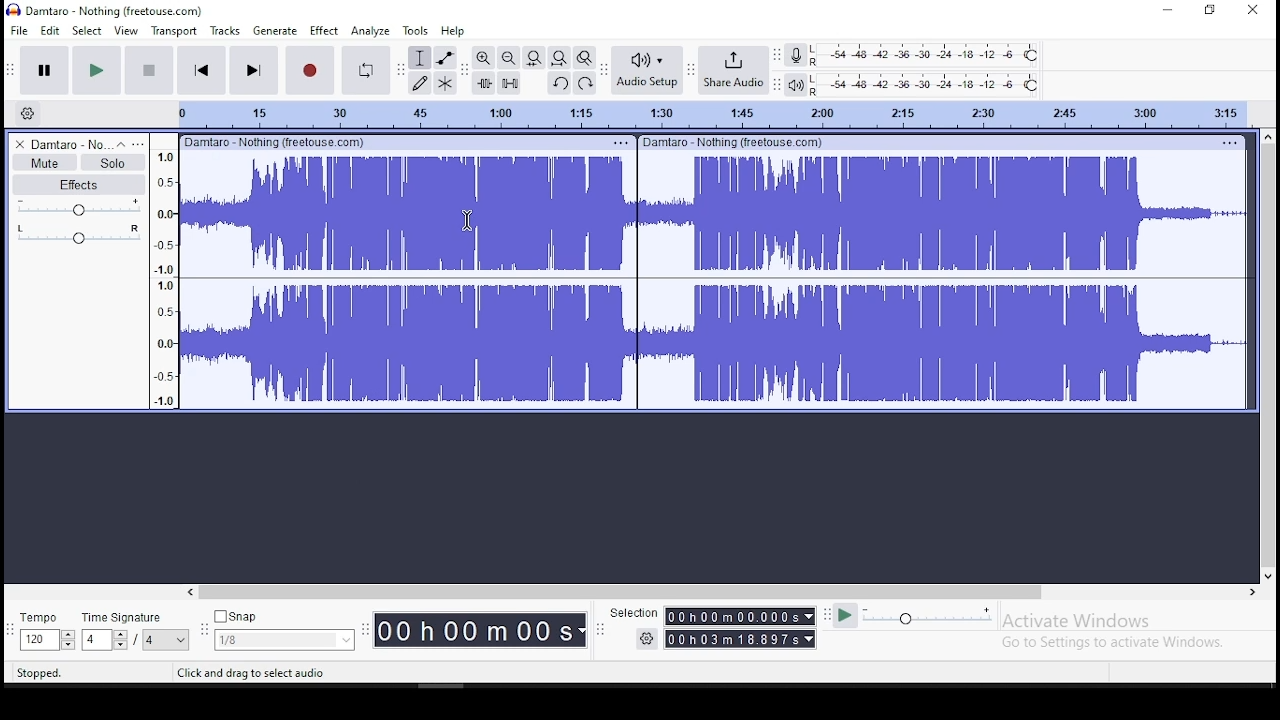 The image size is (1280, 720). What do you see at coordinates (480, 630) in the screenshot?
I see `time menu` at bounding box center [480, 630].